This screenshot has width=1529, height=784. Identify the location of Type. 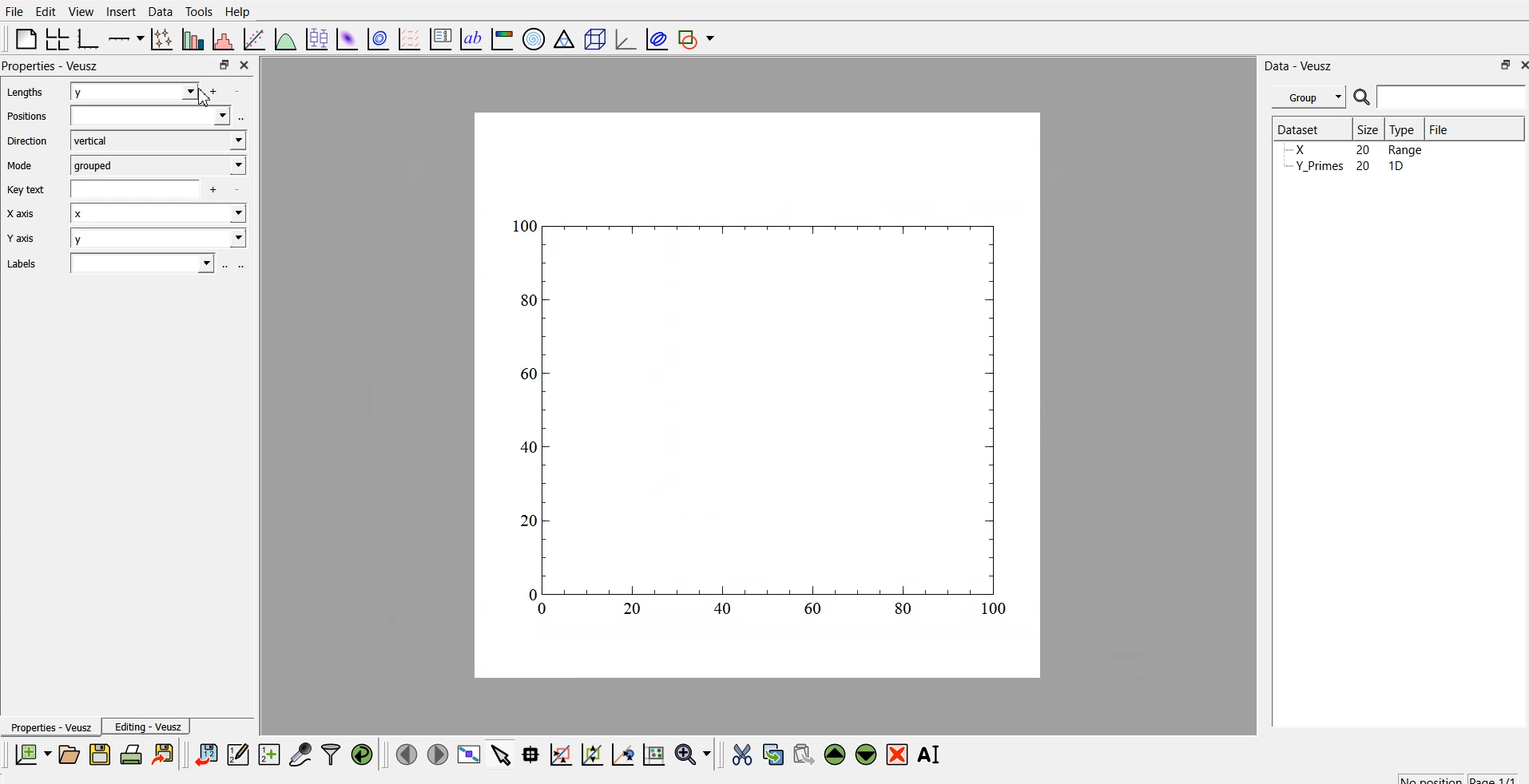
(1406, 129).